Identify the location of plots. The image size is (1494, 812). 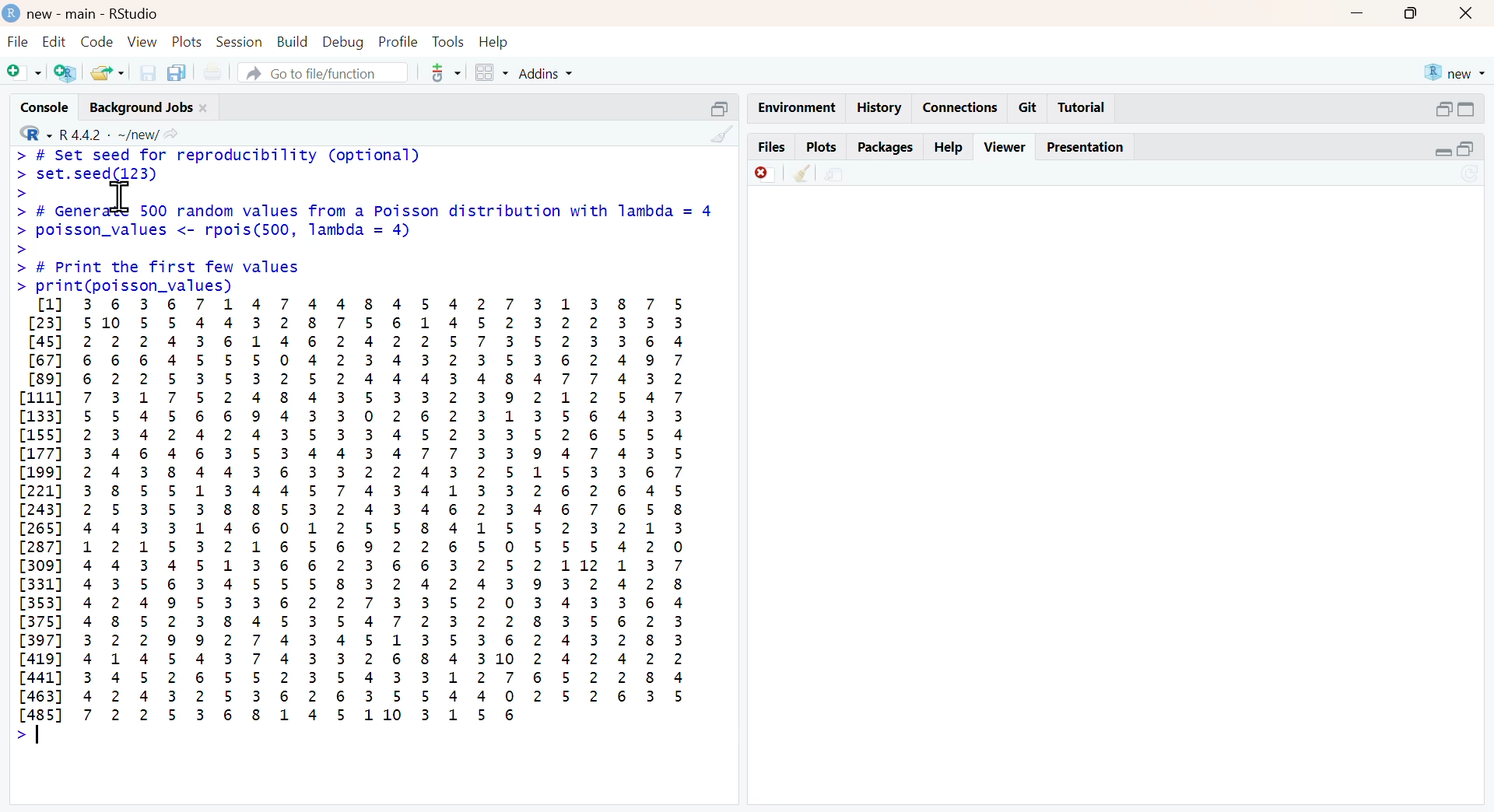
(823, 146).